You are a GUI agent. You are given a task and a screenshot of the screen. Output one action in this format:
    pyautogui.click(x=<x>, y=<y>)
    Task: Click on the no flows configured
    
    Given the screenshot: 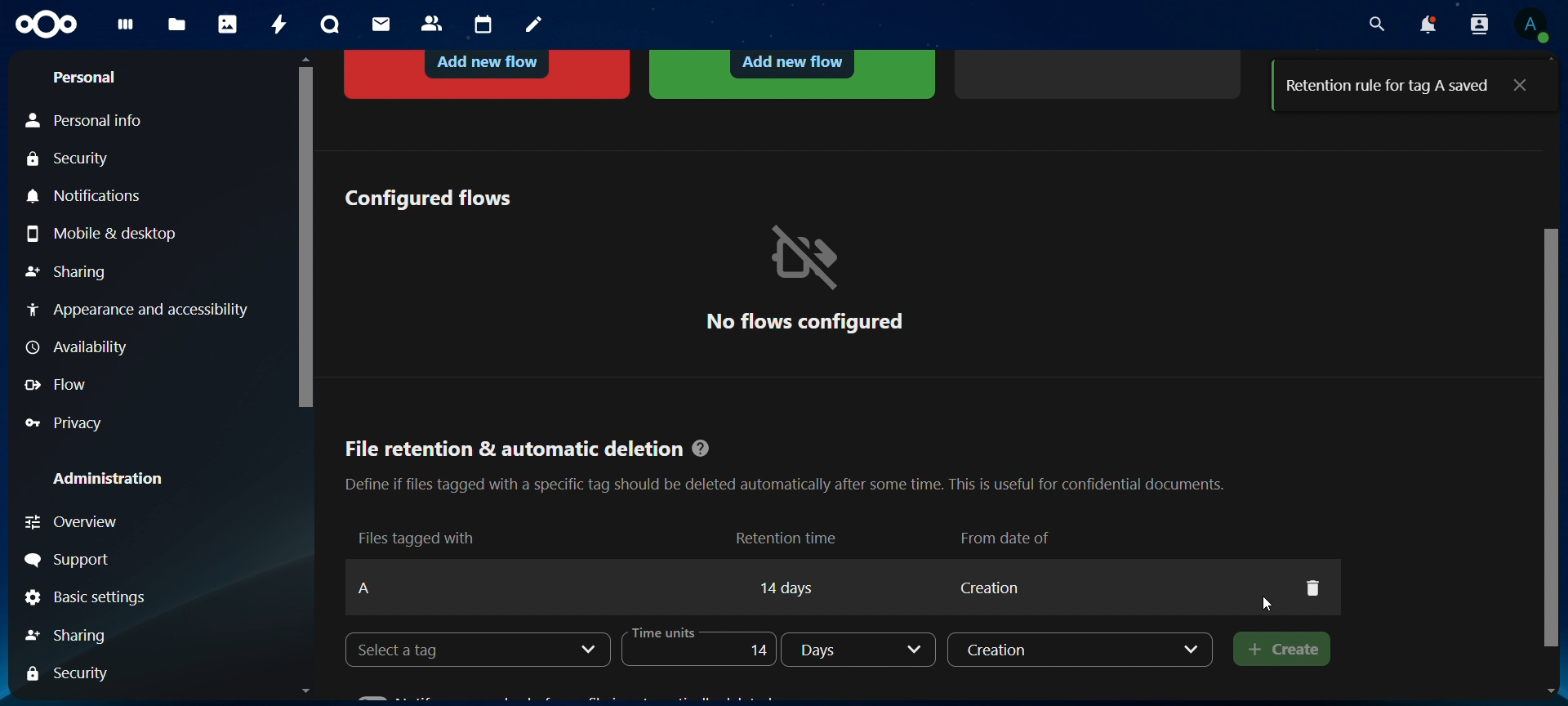 What is the action you would take?
    pyautogui.click(x=804, y=277)
    